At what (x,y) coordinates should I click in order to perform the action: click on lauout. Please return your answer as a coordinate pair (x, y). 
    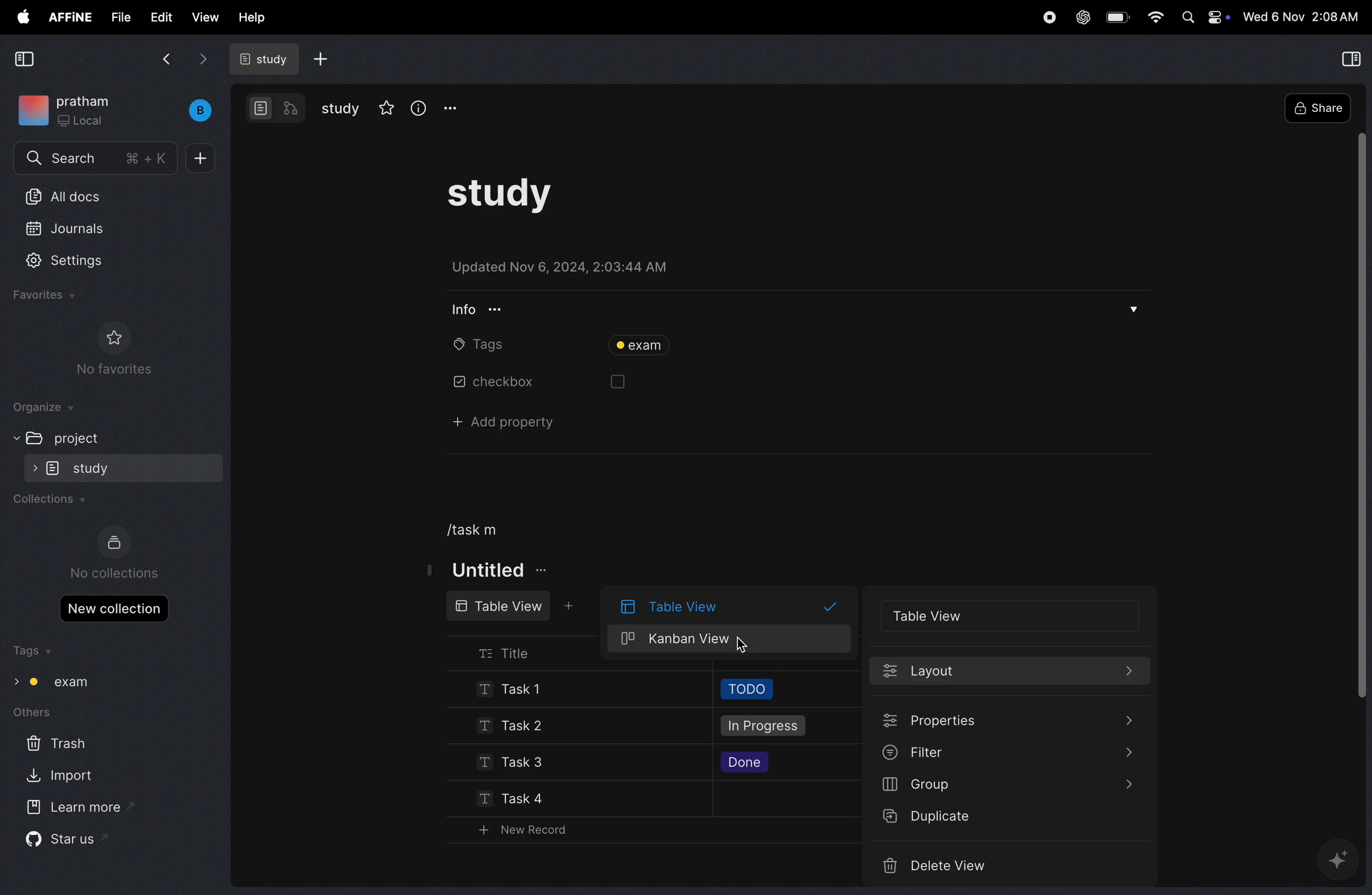
    Looking at the image, I should click on (1009, 671).